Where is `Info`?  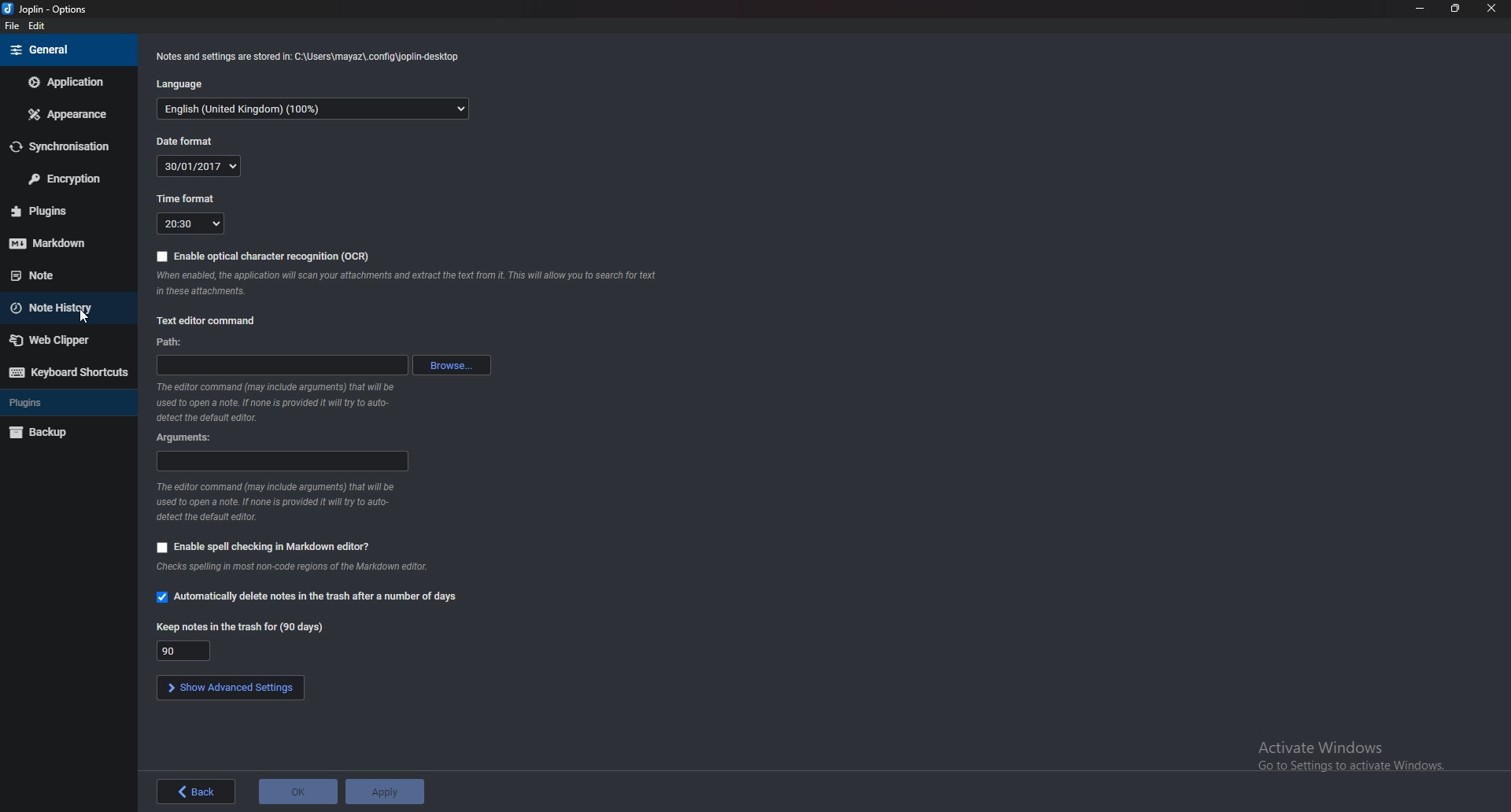
Info is located at coordinates (410, 283).